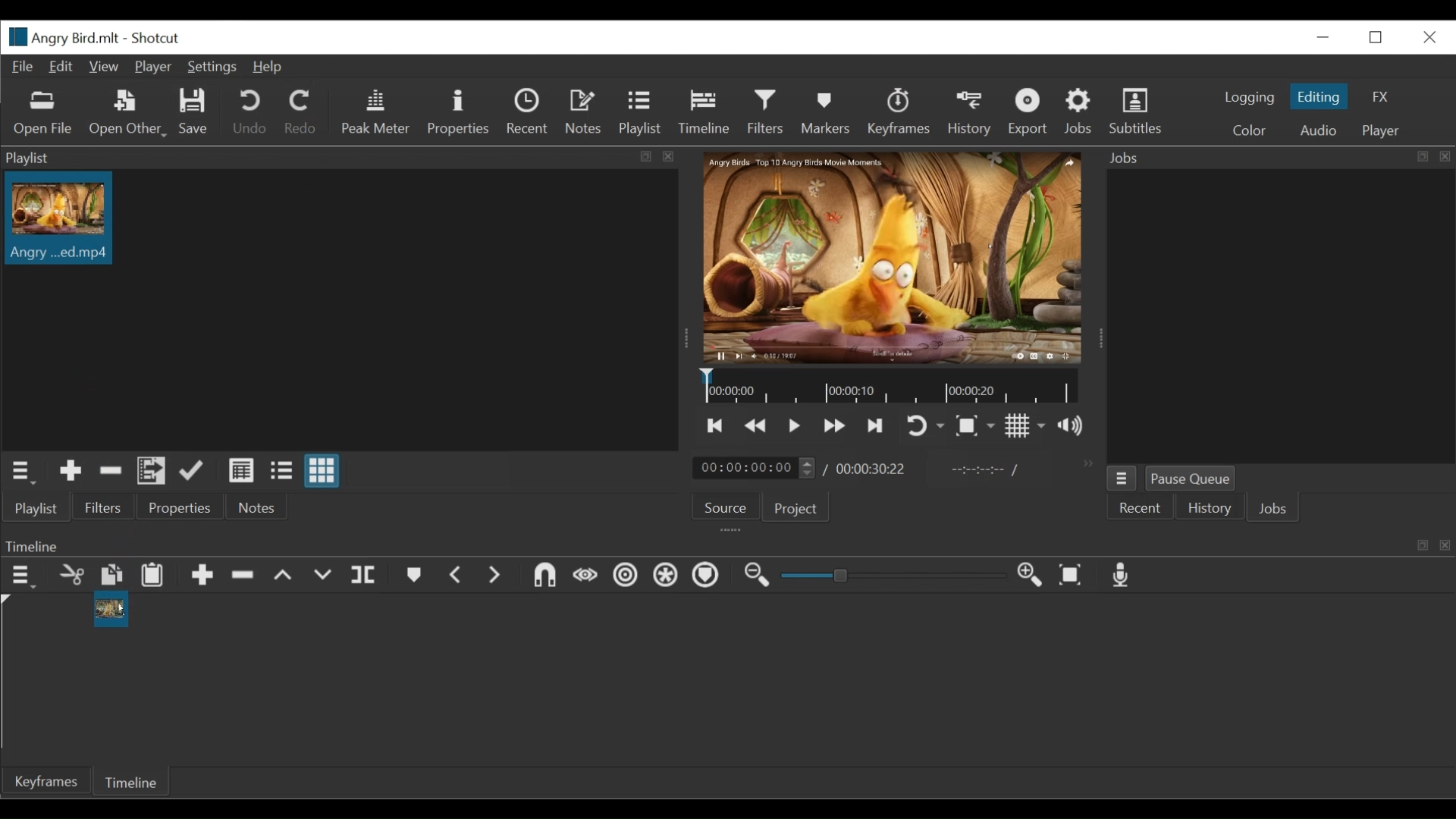  Describe the element at coordinates (585, 112) in the screenshot. I see `Notes` at that location.